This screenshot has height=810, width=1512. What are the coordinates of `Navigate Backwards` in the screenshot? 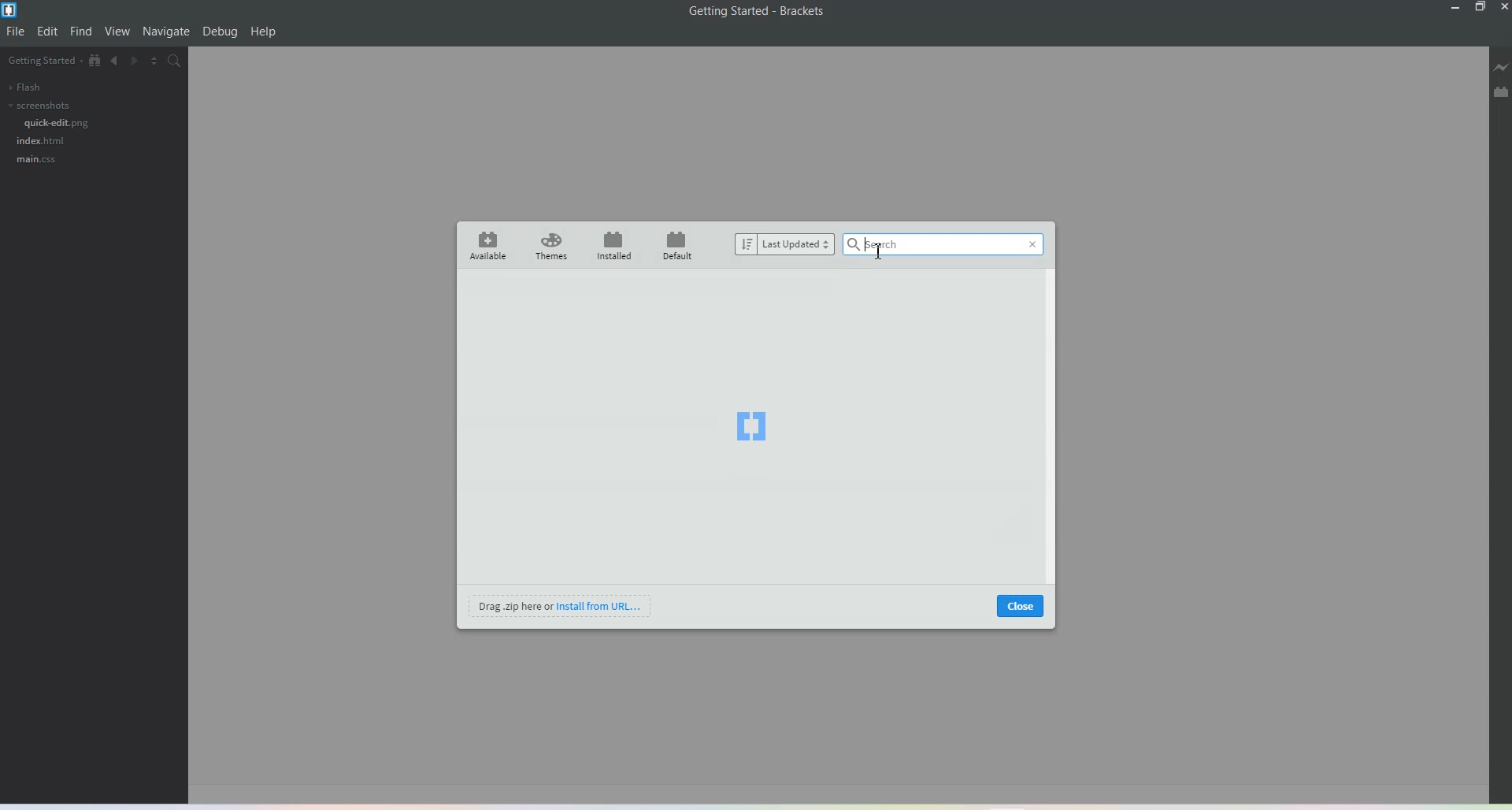 It's located at (116, 63).